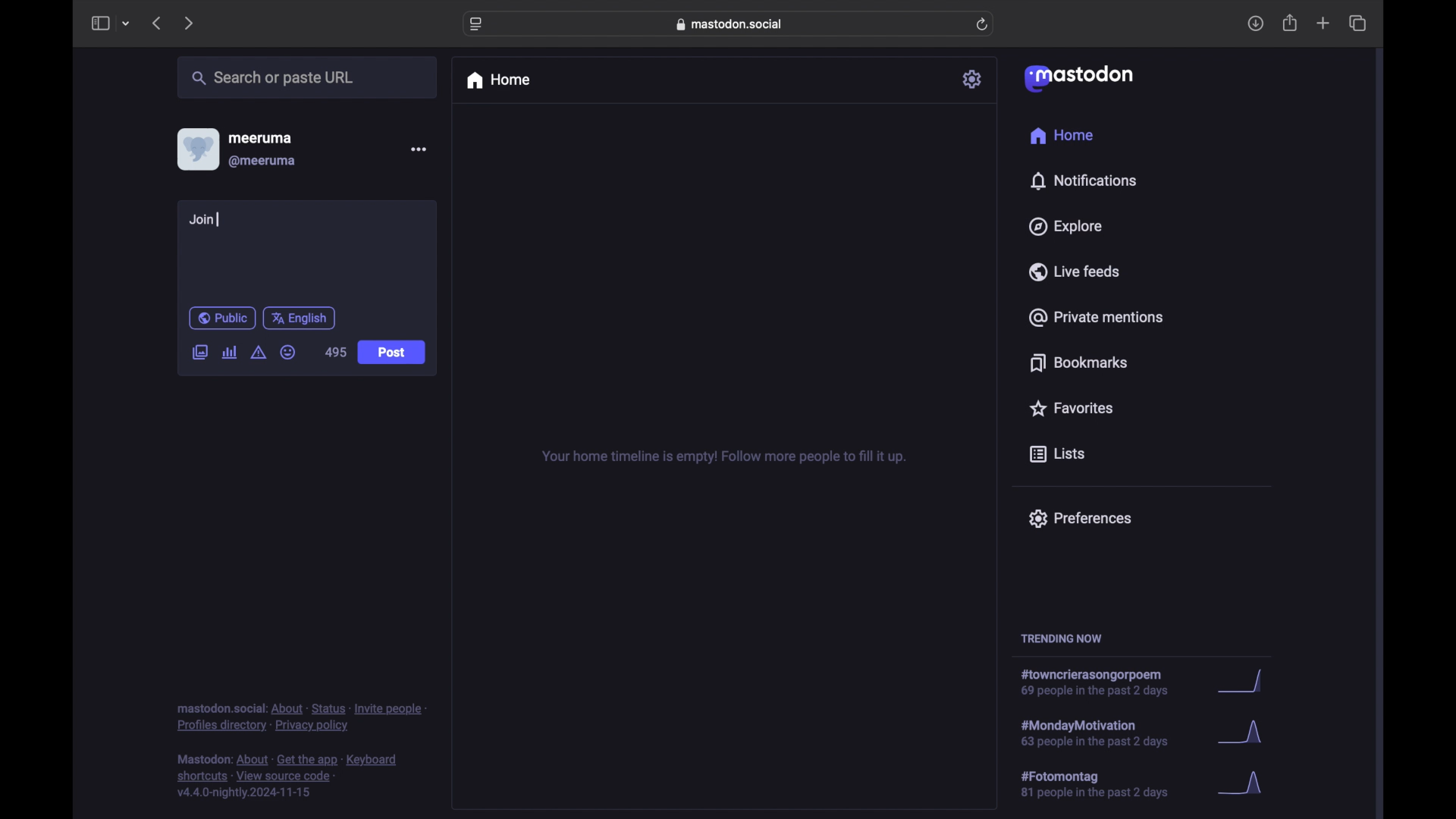 This screenshot has height=819, width=1456. What do you see at coordinates (99, 23) in the screenshot?
I see `sidebar` at bounding box center [99, 23].